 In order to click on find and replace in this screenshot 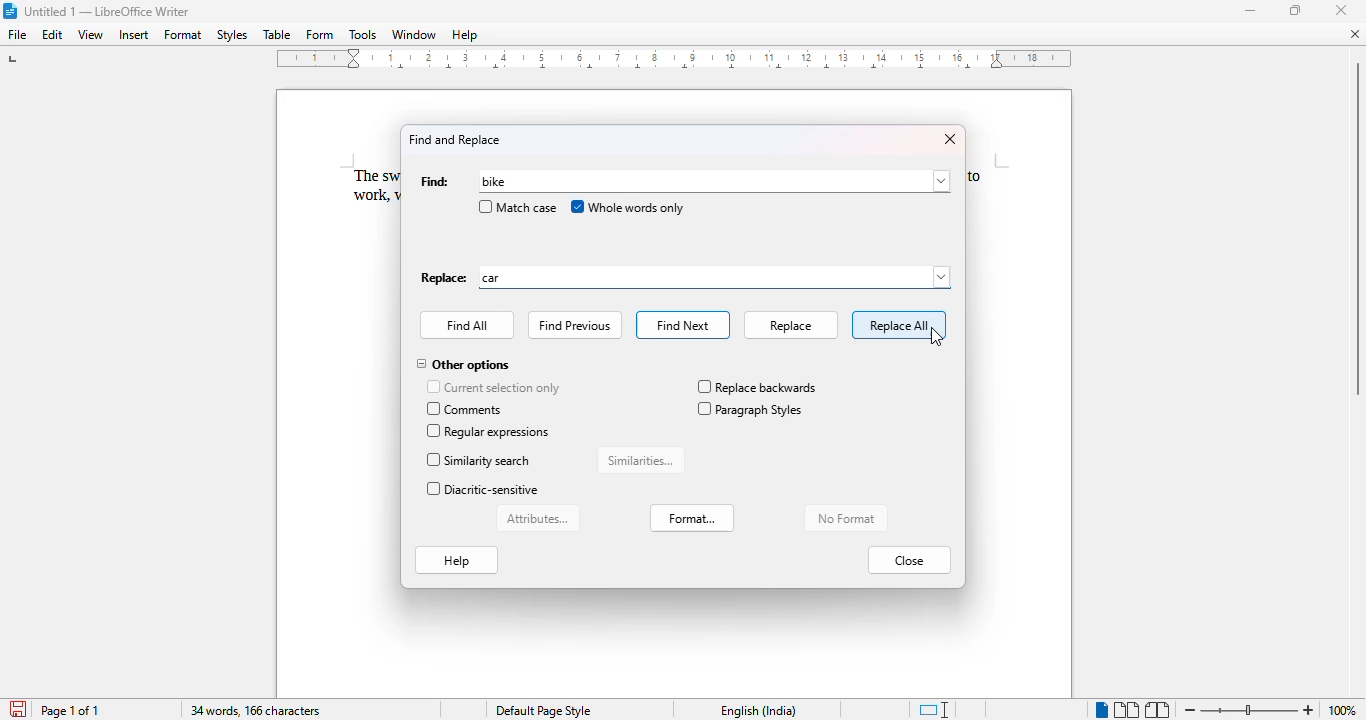, I will do `click(454, 139)`.